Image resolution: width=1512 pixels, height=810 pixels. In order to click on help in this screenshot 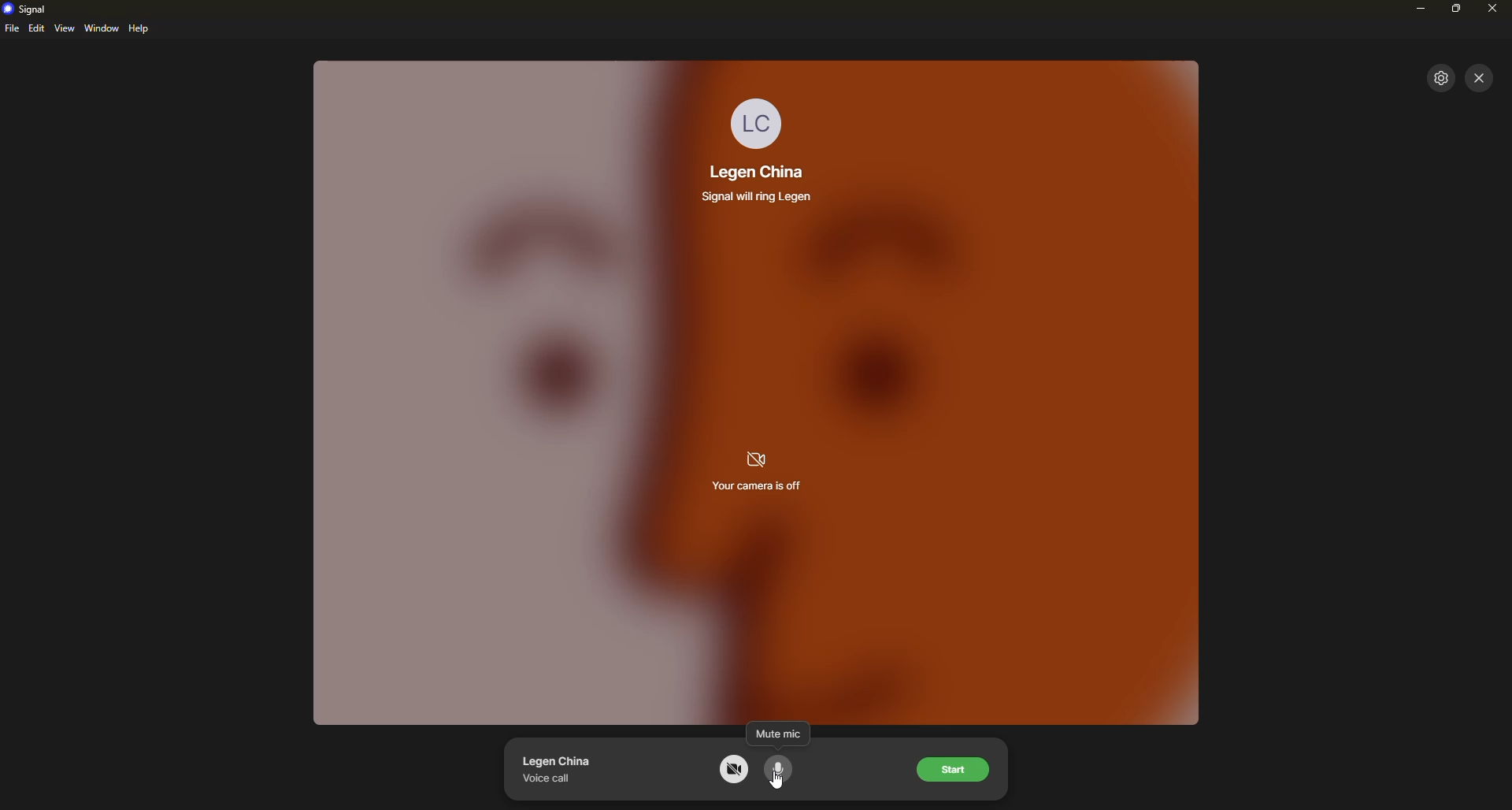, I will do `click(141, 28)`.